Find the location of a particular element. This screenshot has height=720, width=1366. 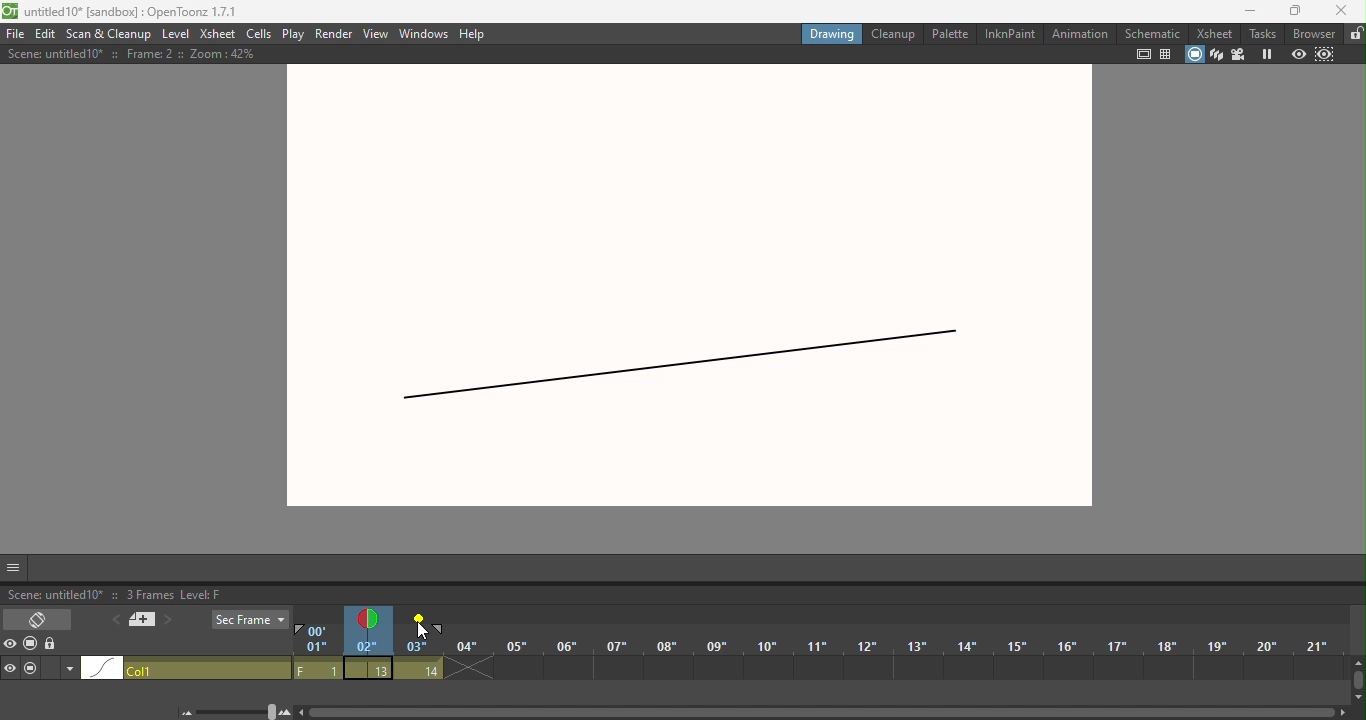

Xsheet is located at coordinates (1213, 32).